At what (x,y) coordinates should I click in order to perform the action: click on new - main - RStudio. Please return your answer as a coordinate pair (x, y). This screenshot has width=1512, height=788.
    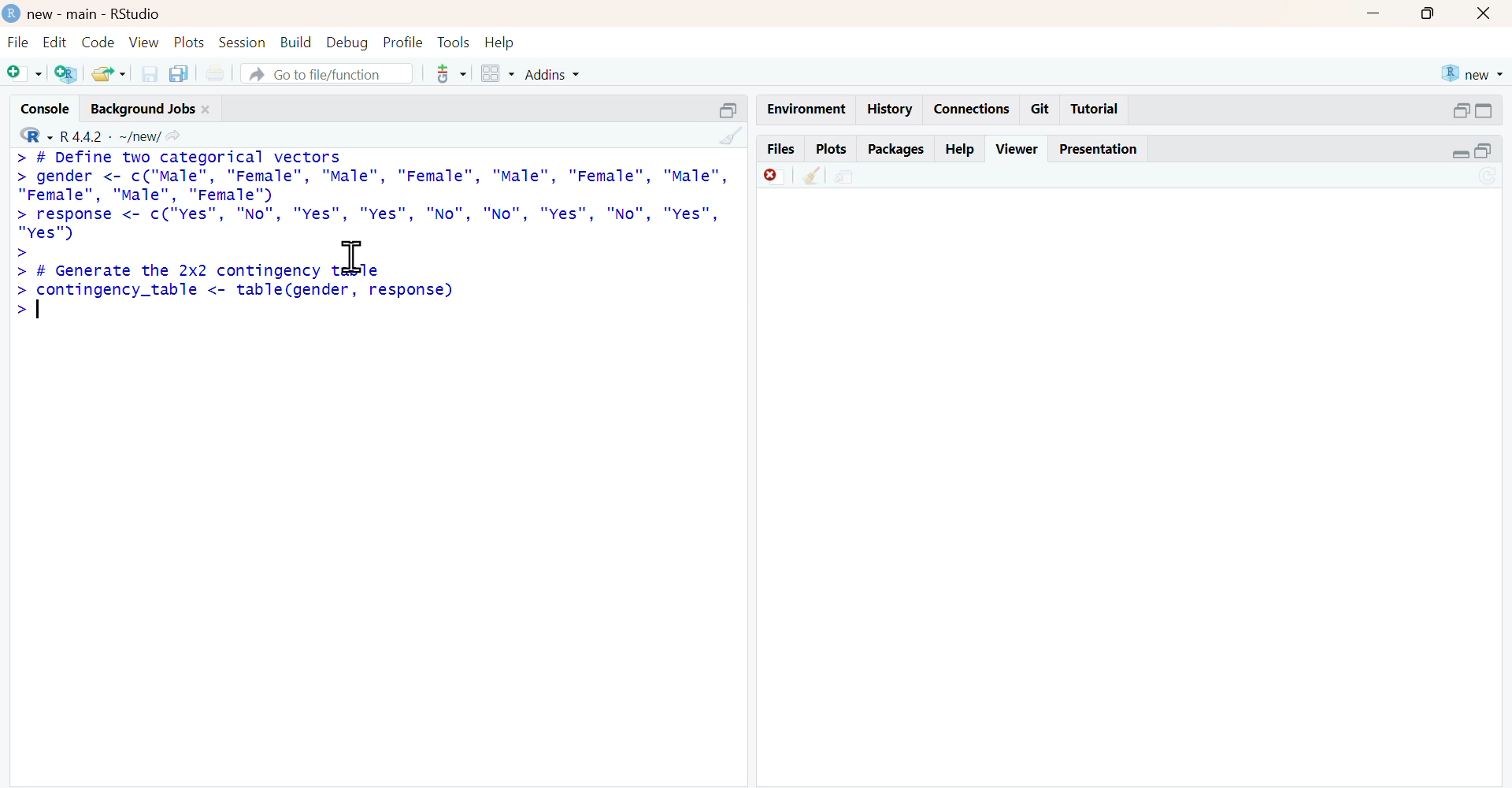
    Looking at the image, I should click on (97, 15).